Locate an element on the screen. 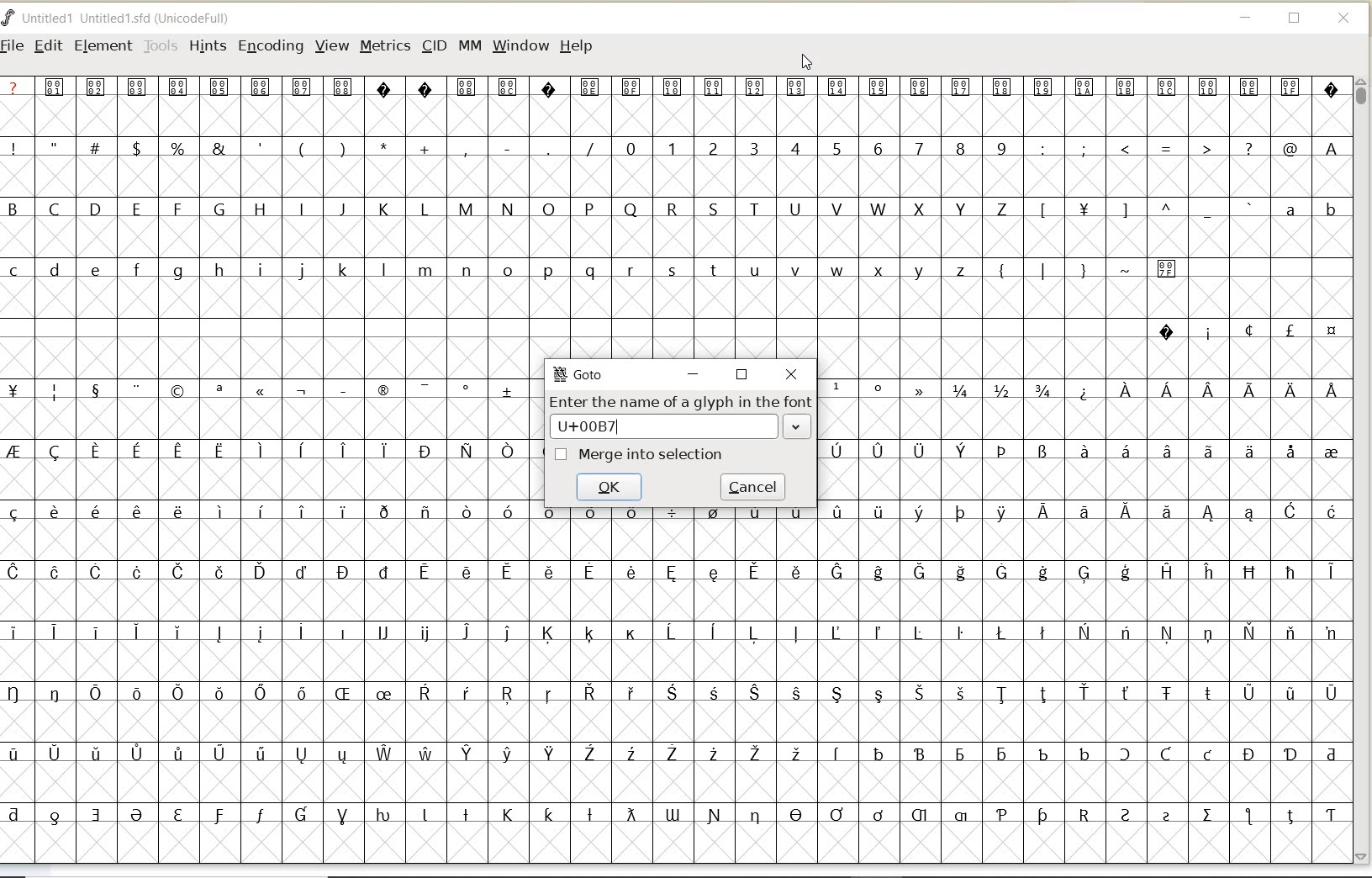 The height and width of the screenshot is (878, 1372). FONT NAME is located at coordinates (131, 19).